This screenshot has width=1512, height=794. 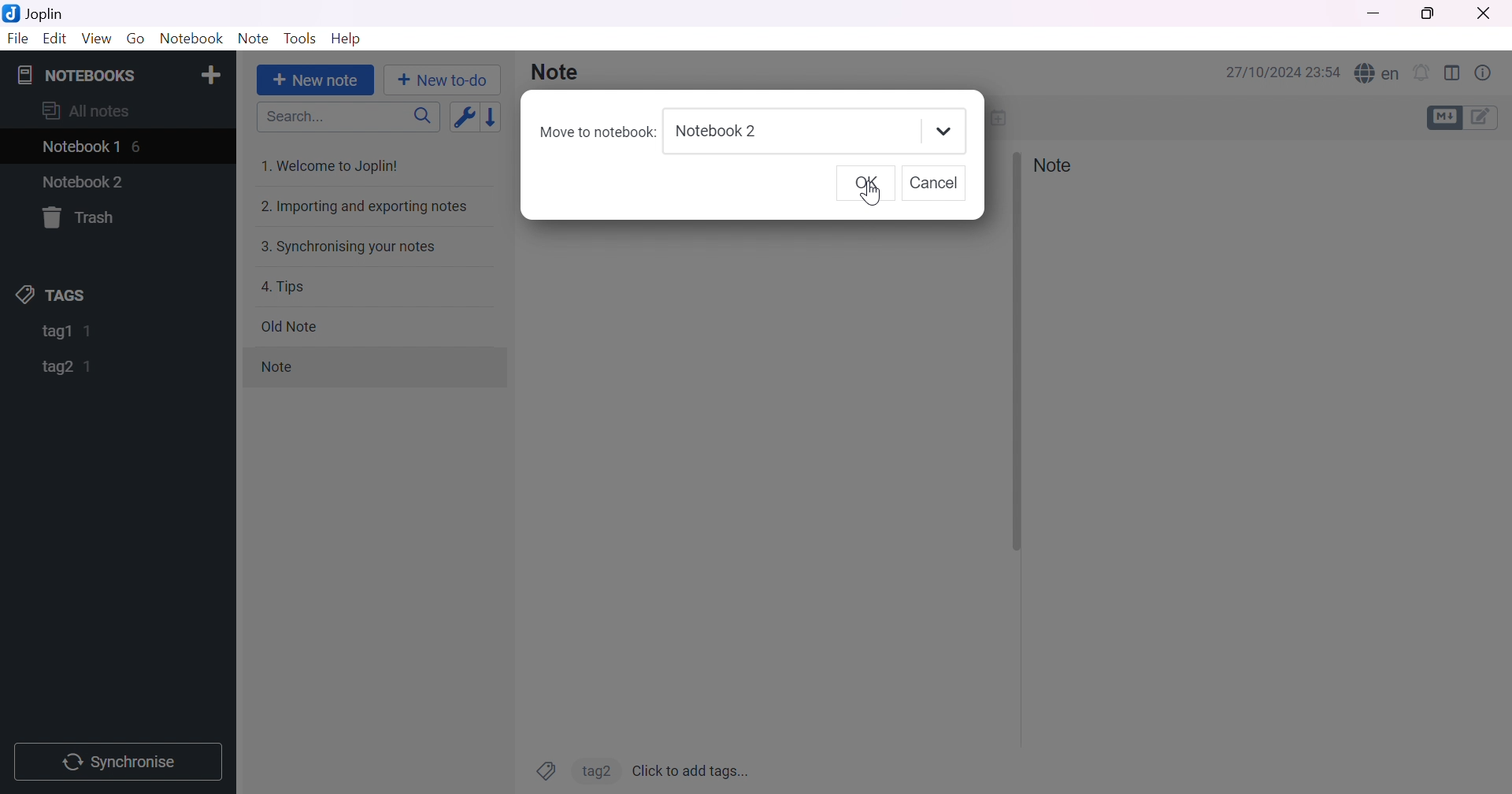 What do you see at coordinates (116, 760) in the screenshot?
I see `Synchronise` at bounding box center [116, 760].